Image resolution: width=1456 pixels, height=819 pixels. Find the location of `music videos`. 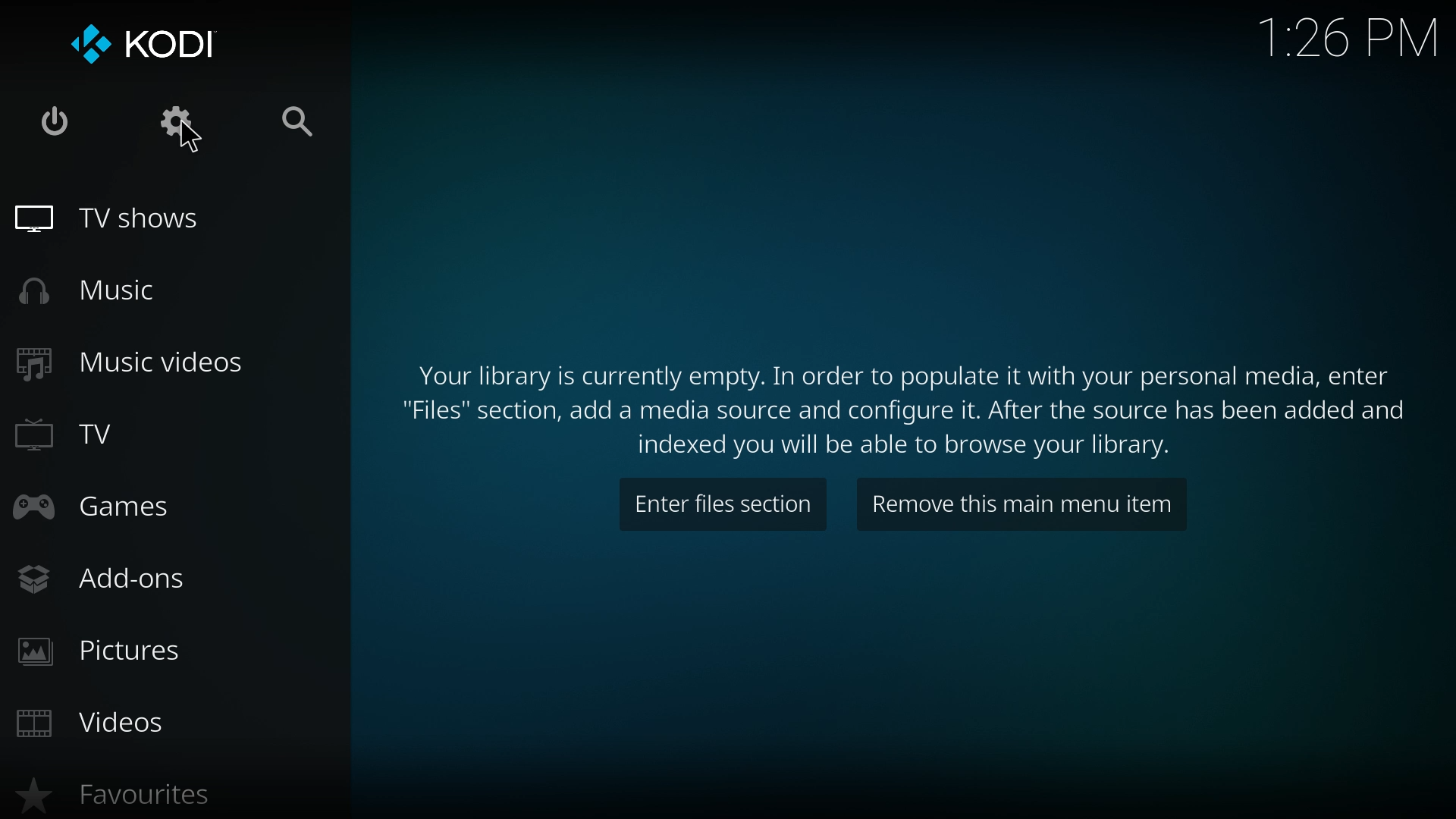

music videos is located at coordinates (146, 363).